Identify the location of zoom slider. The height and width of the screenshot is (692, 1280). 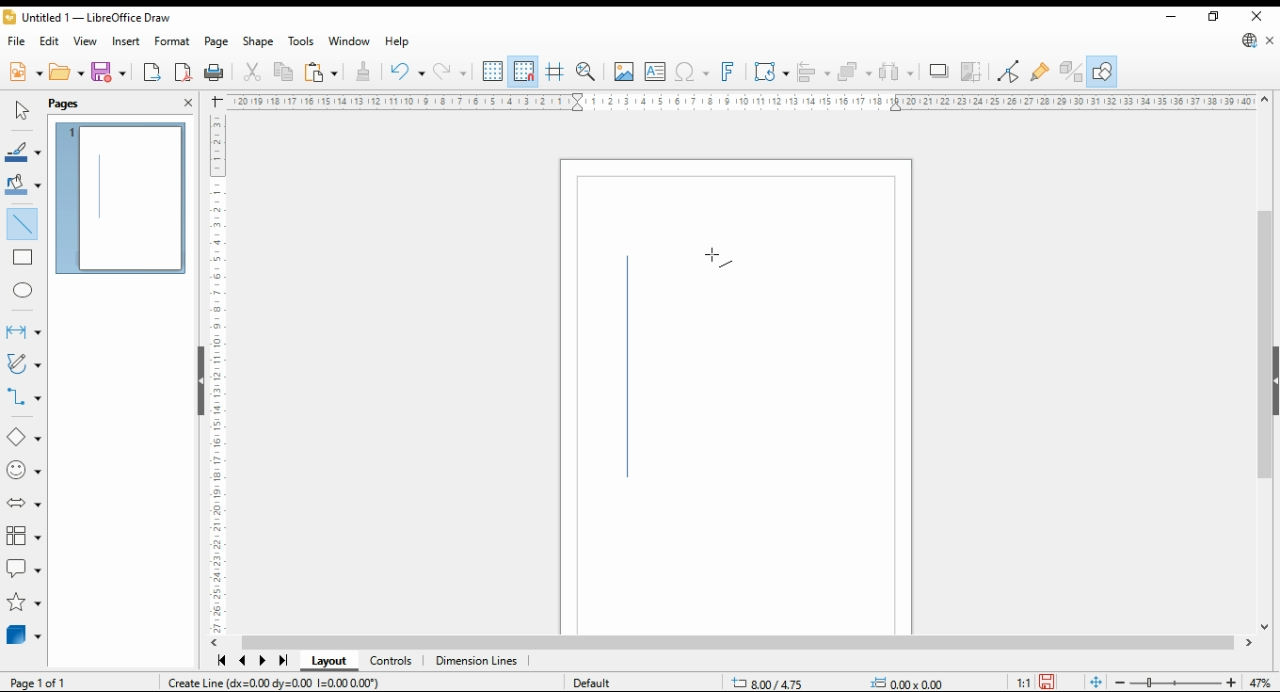
(1176, 683).